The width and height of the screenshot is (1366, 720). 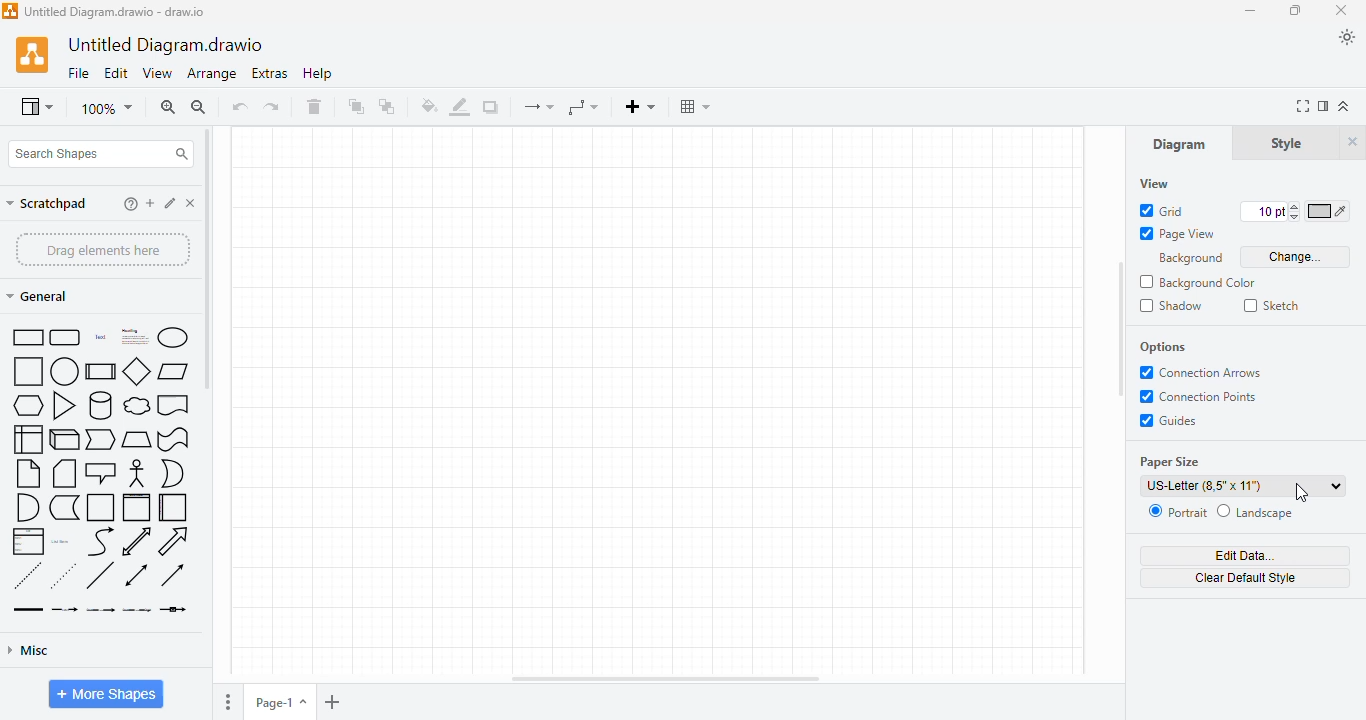 What do you see at coordinates (32, 55) in the screenshot?
I see `logo` at bounding box center [32, 55].